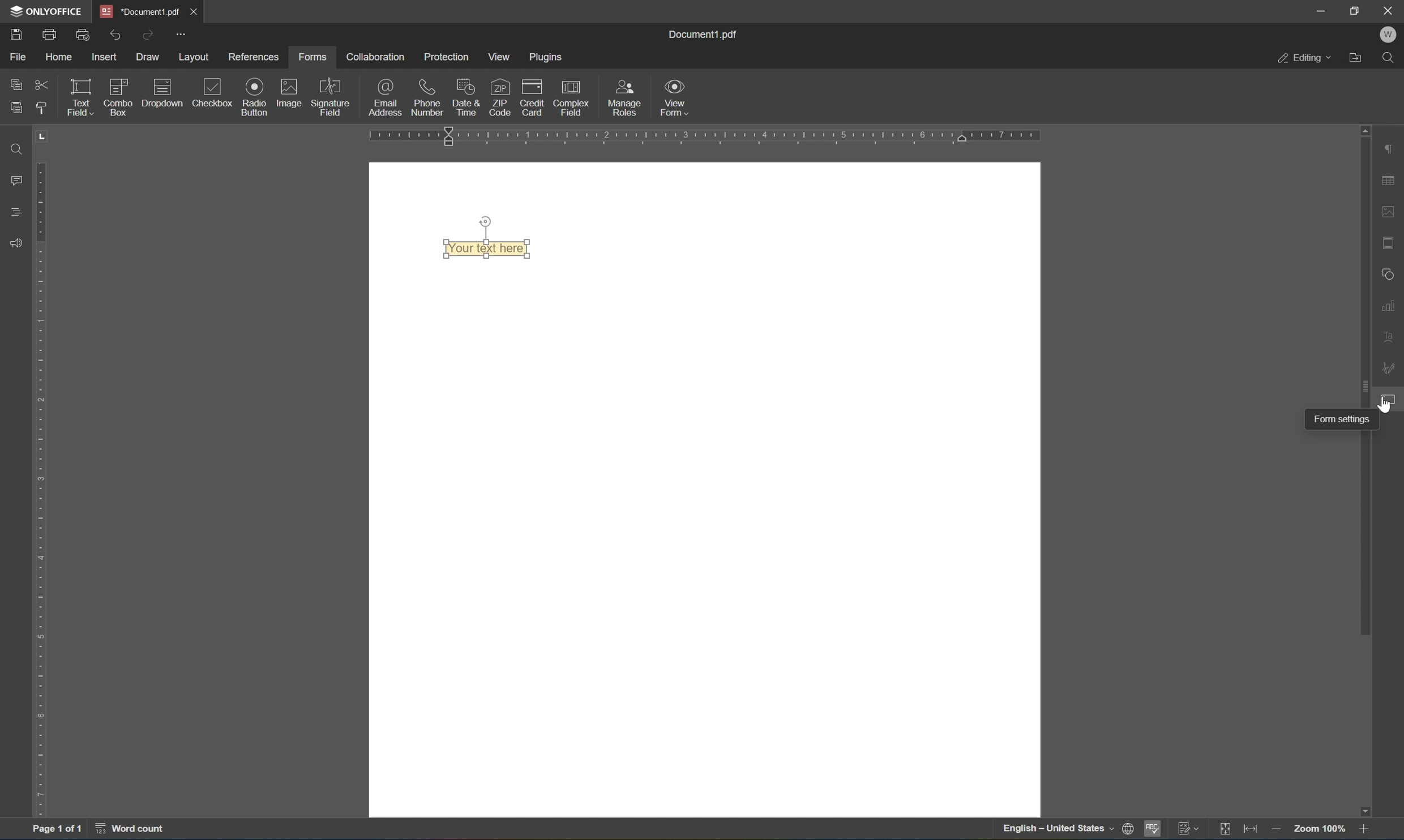 The image size is (1404, 840). I want to click on image settings, so click(1388, 209).